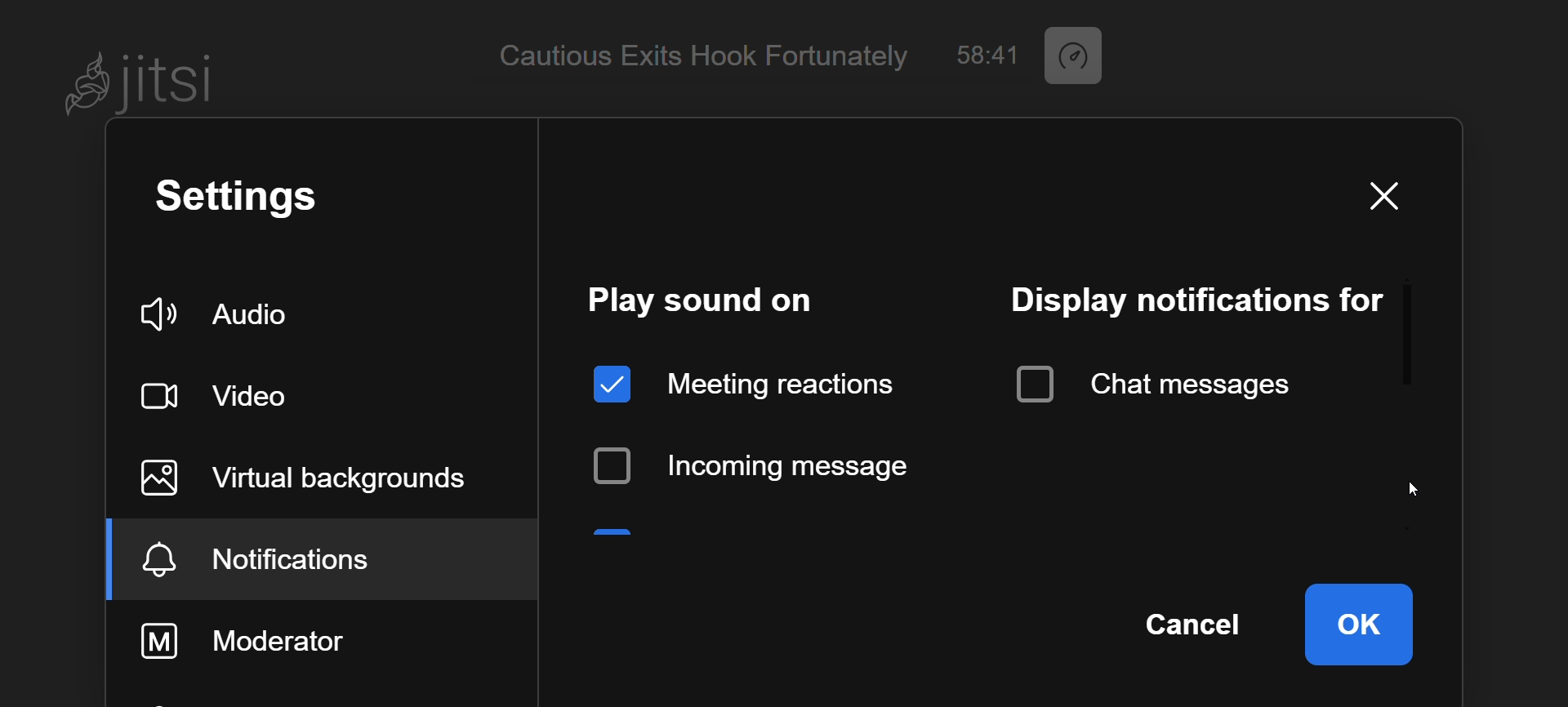  What do you see at coordinates (1405, 334) in the screenshot?
I see `scroll bar` at bounding box center [1405, 334].